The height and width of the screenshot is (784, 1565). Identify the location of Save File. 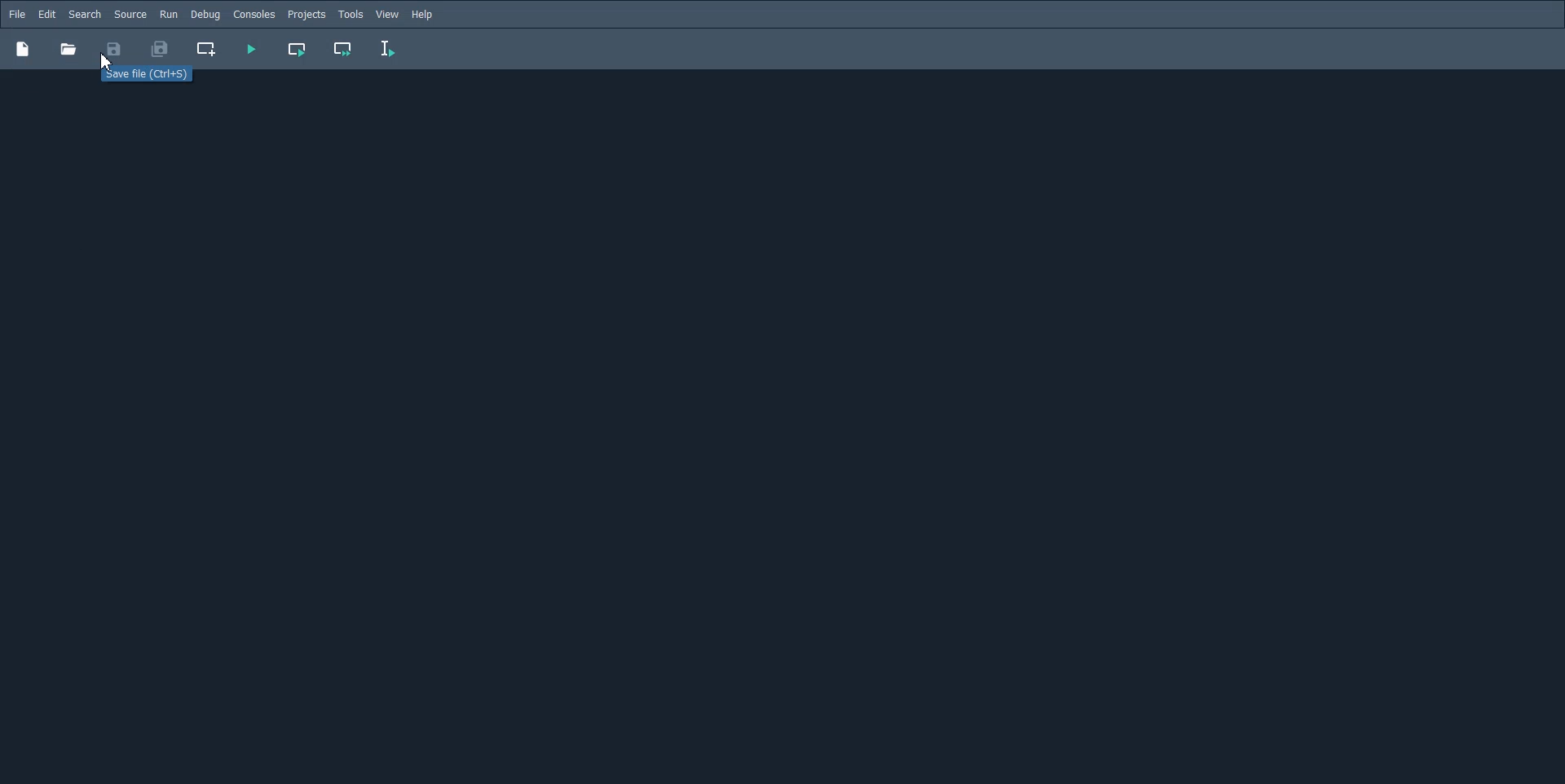
(114, 49).